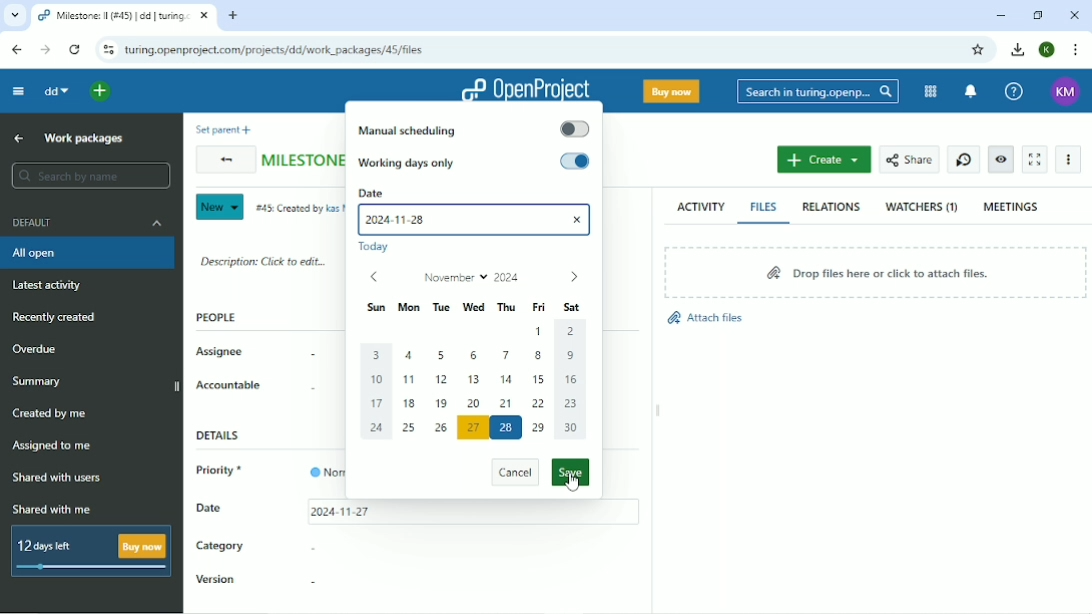 The width and height of the screenshot is (1092, 614). I want to click on To notification center, so click(970, 92).